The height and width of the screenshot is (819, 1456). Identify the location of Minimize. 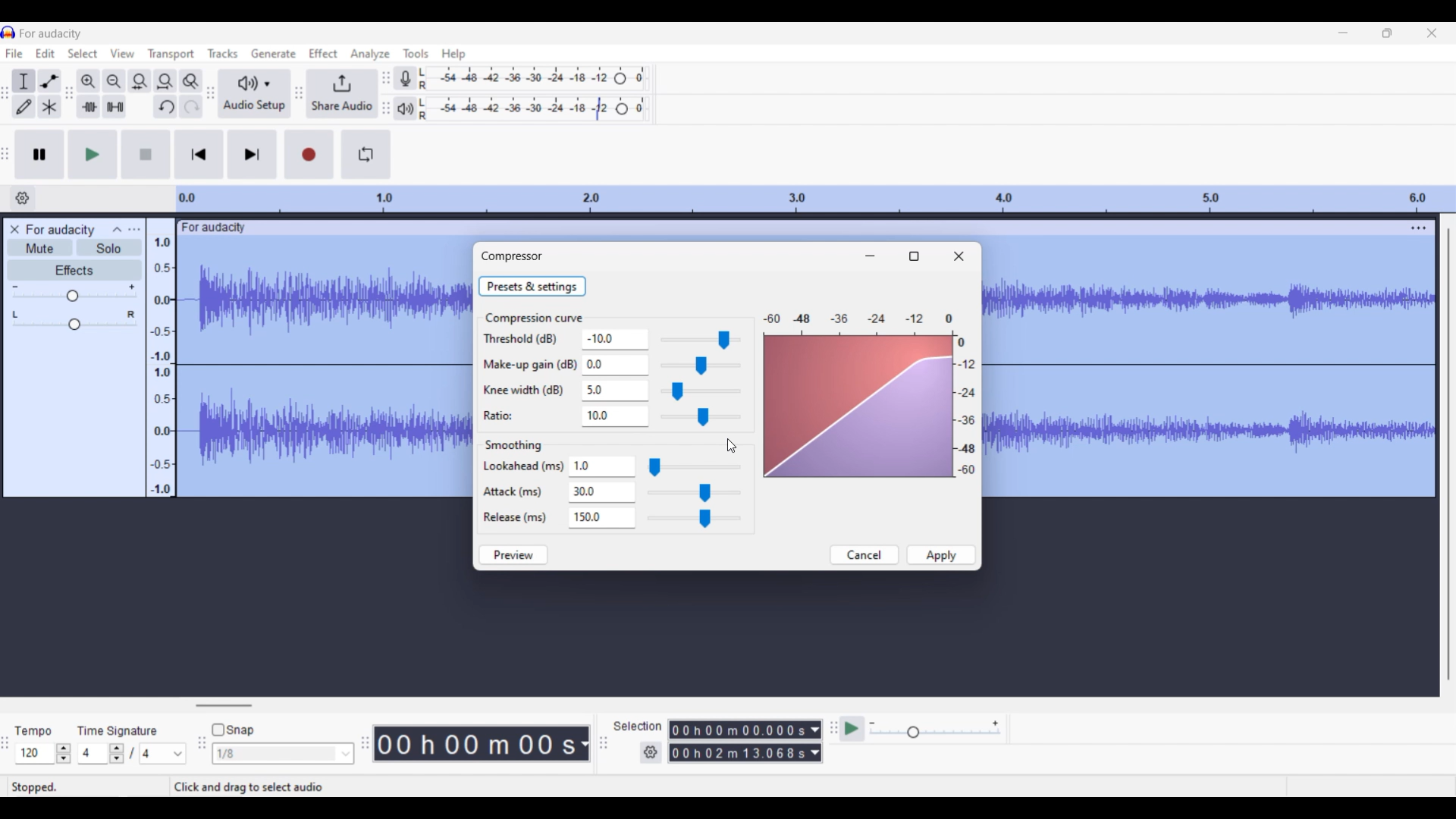
(870, 256).